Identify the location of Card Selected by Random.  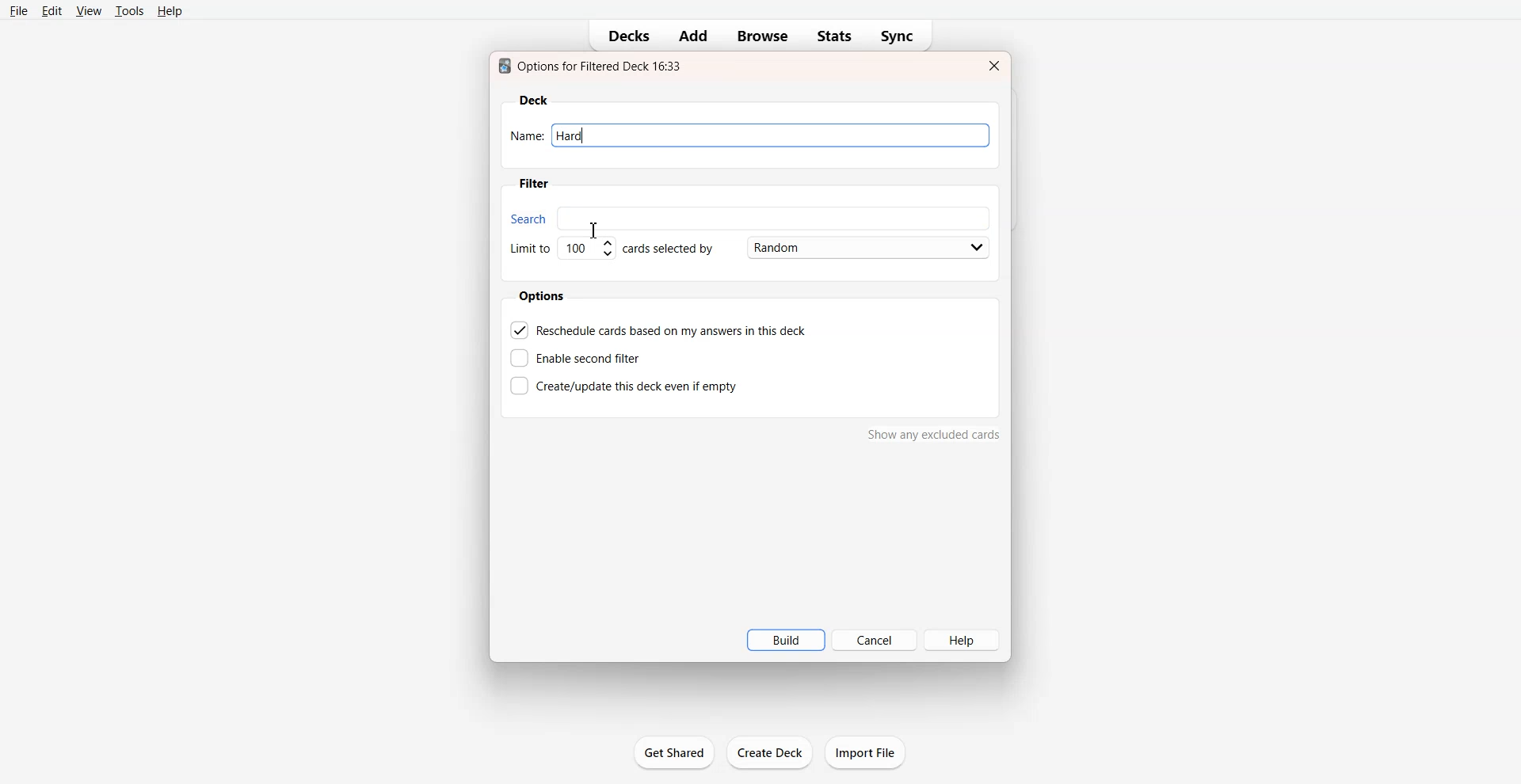
(810, 247).